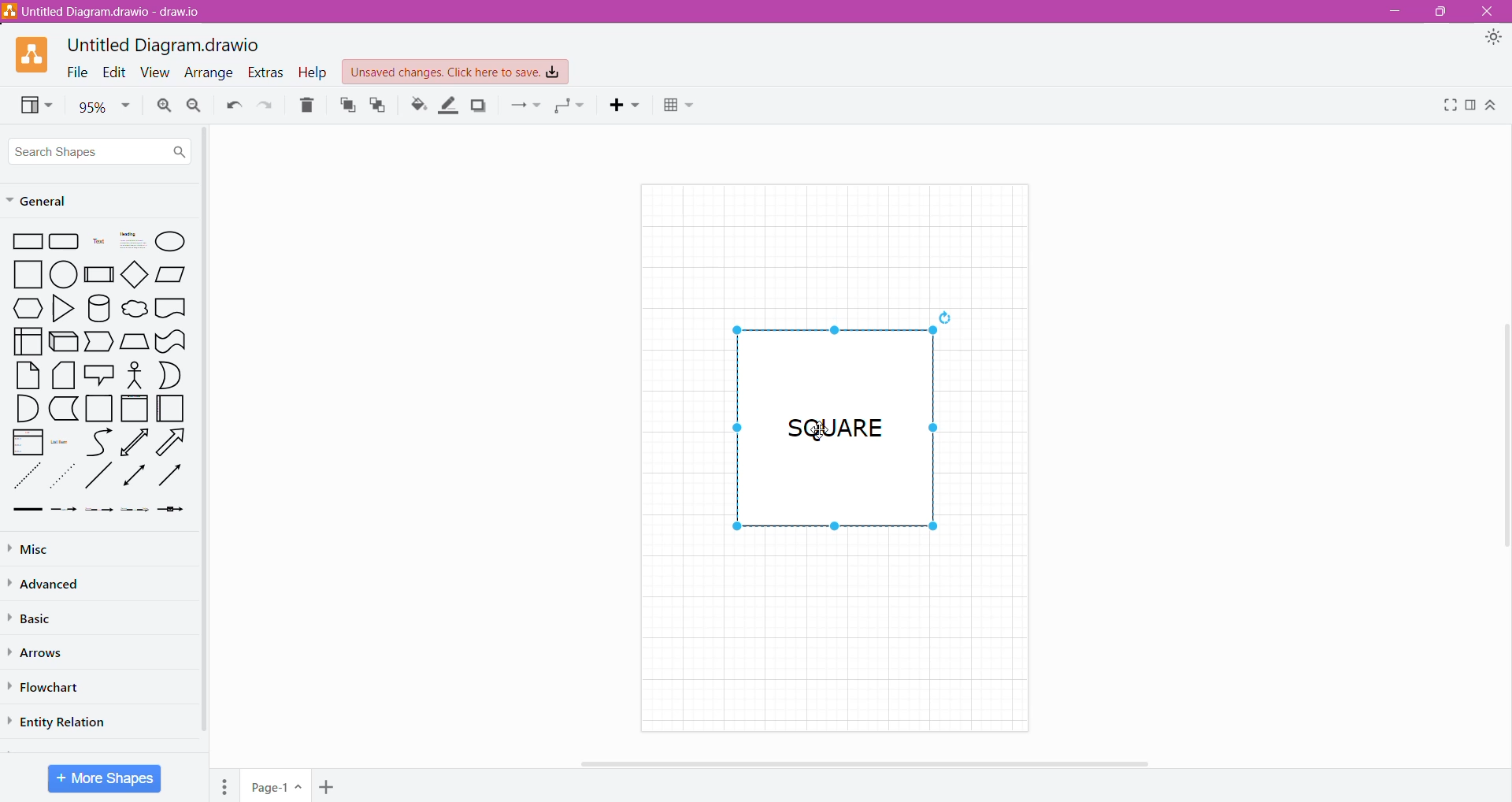  Describe the element at coordinates (162, 108) in the screenshot. I see `Zoom In` at that location.